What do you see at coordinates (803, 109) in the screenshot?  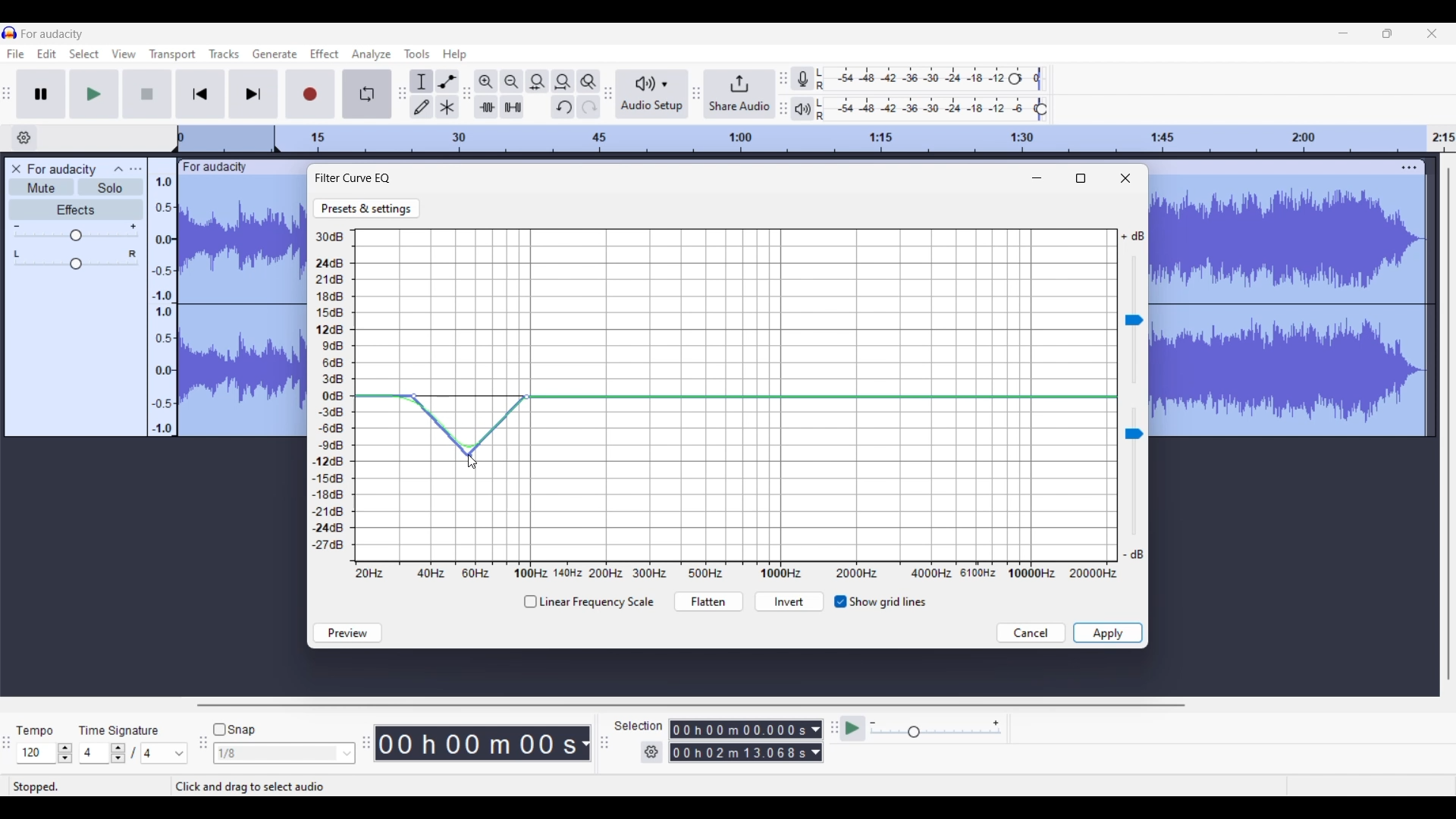 I see `Playback meter` at bounding box center [803, 109].